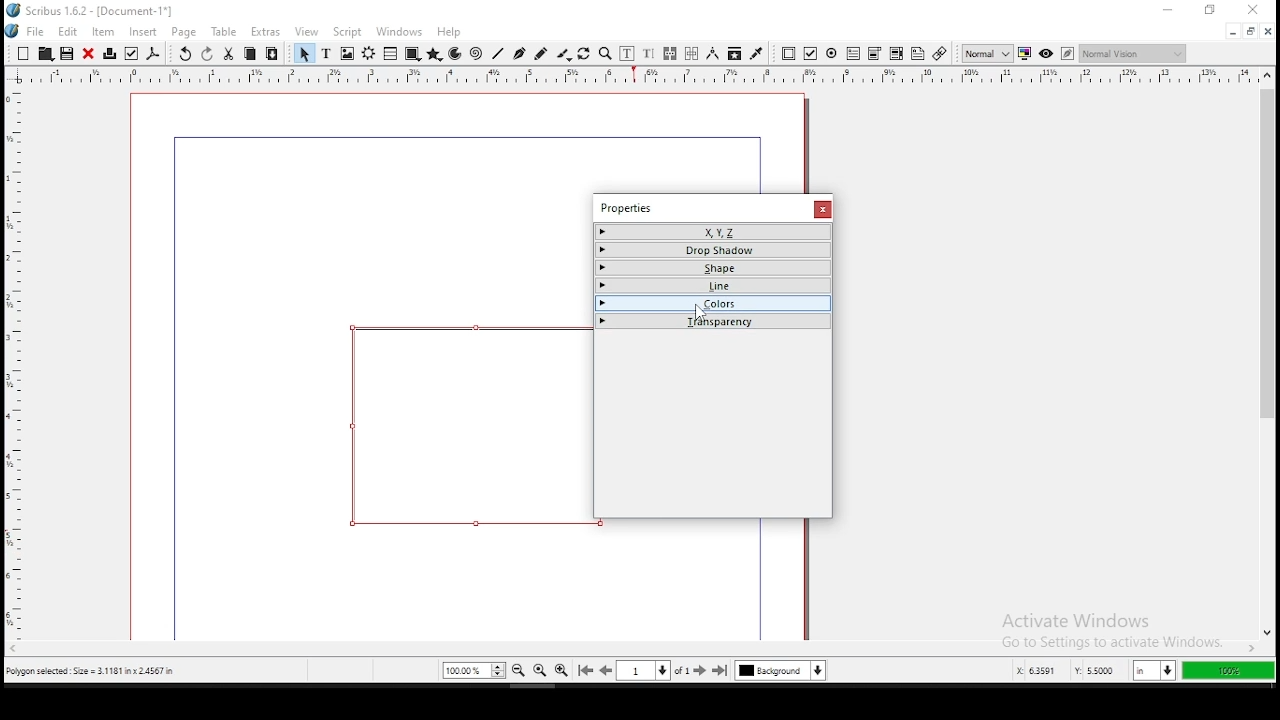 This screenshot has width=1280, height=720. Describe the element at coordinates (225, 32) in the screenshot. I see `table` at that location.